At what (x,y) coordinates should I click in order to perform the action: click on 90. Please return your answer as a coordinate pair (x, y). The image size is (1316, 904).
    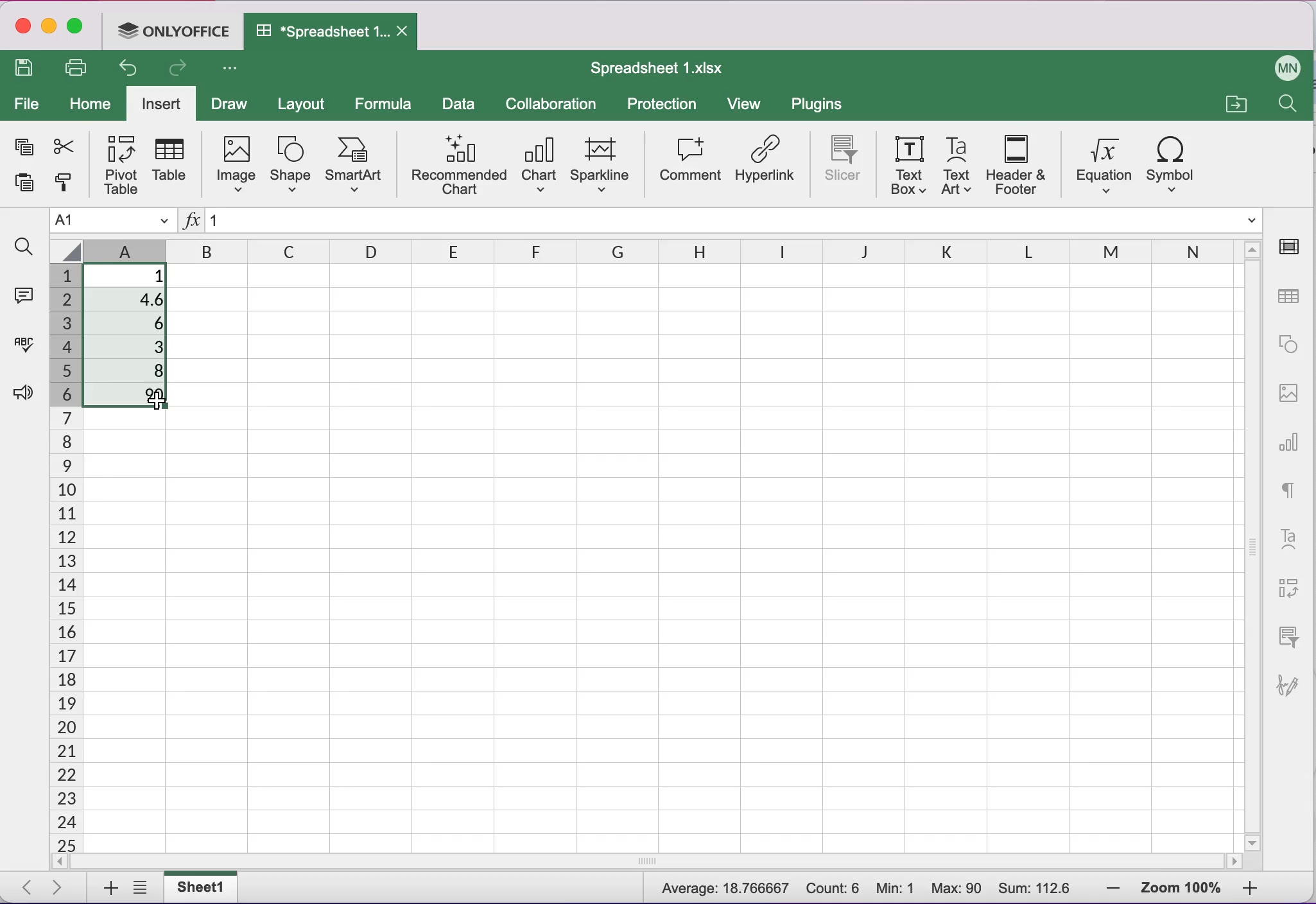
    Looking at the image, I should click on (130, 396).